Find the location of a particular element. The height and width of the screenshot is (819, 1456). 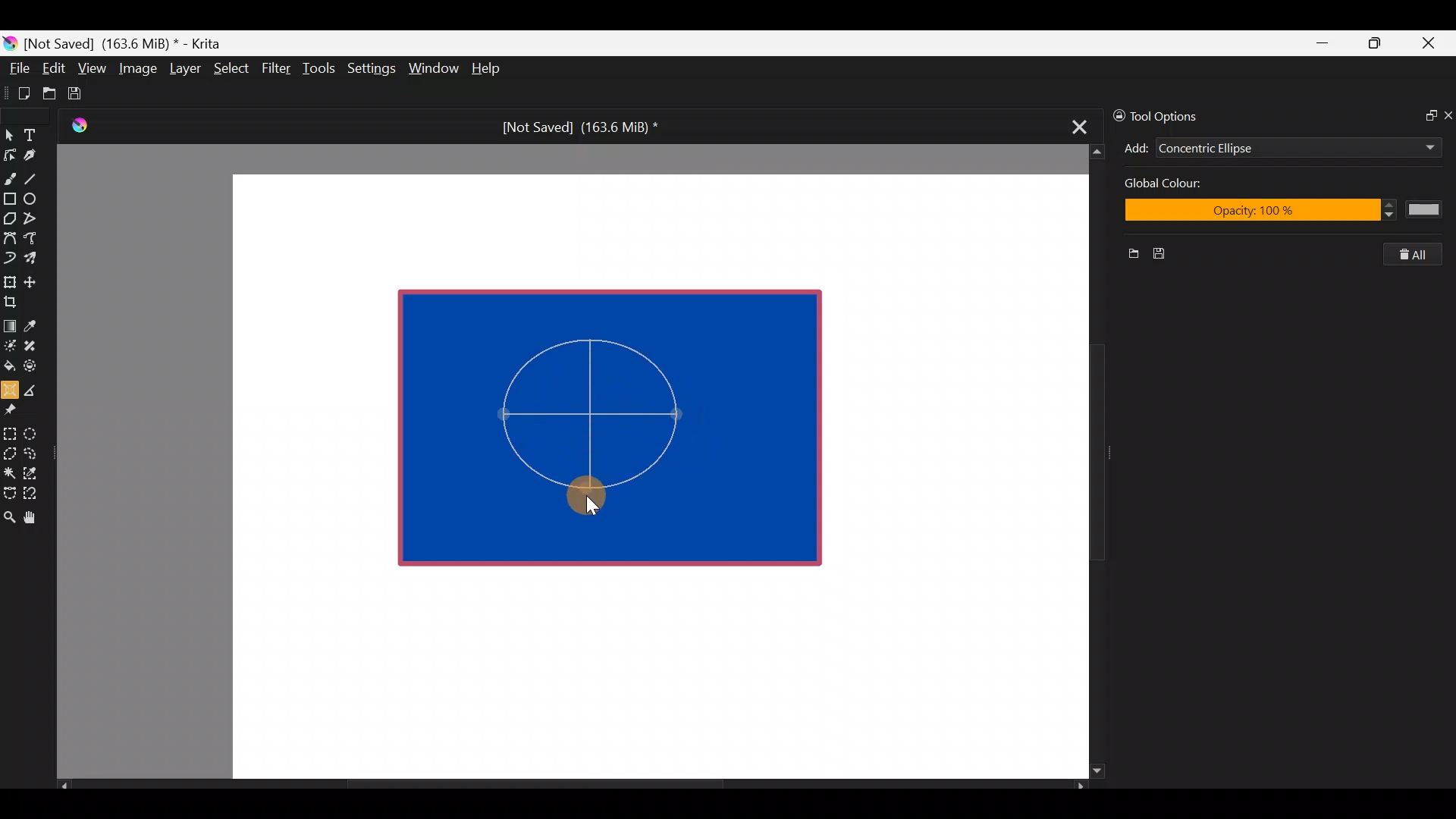

Clear all is located at coordinates (1420, 254).